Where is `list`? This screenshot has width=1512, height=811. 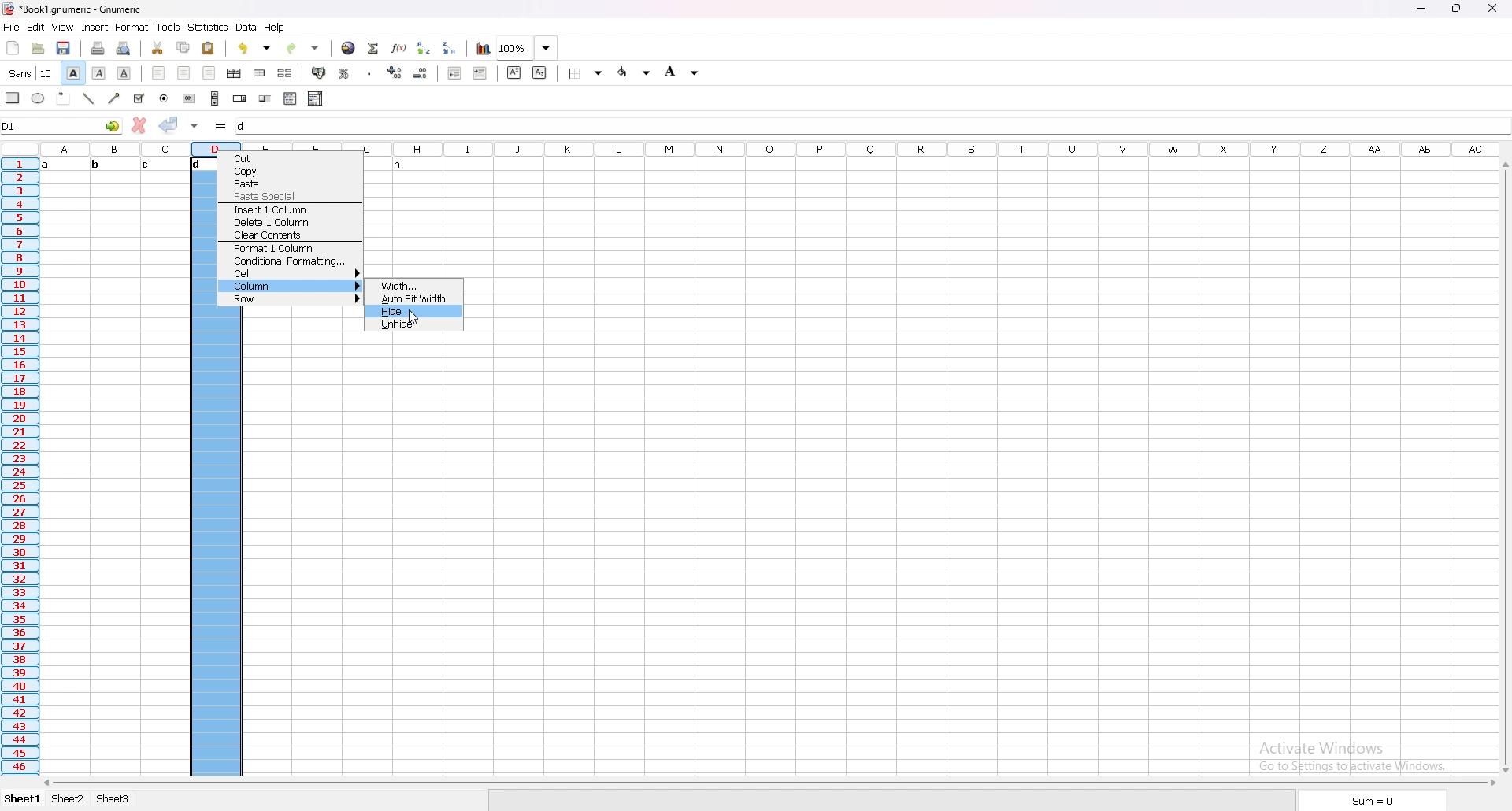 list is located at coordinates (291, 98).